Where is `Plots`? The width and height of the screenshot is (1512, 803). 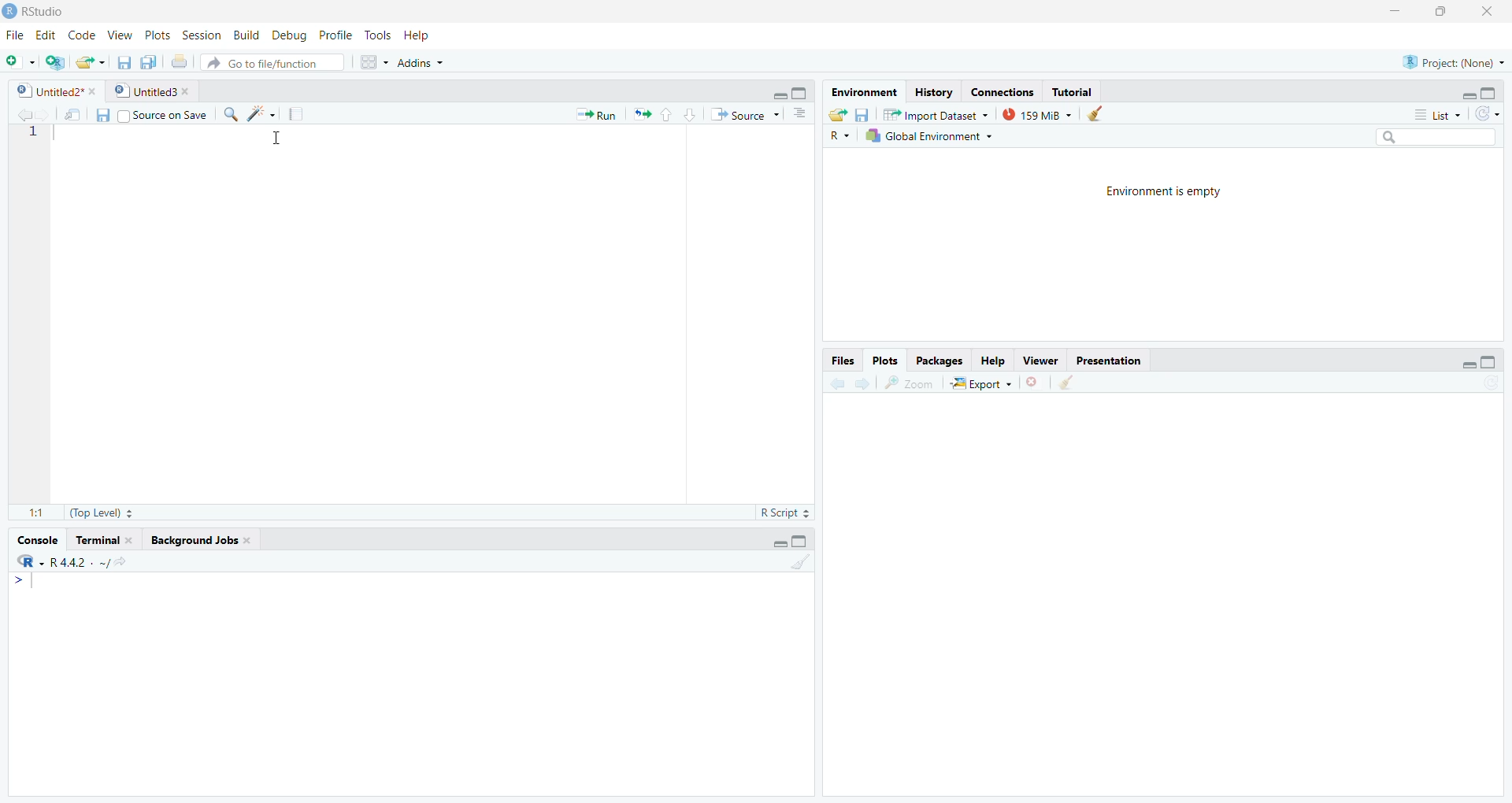
Plots is located at coordinates (884, 362).